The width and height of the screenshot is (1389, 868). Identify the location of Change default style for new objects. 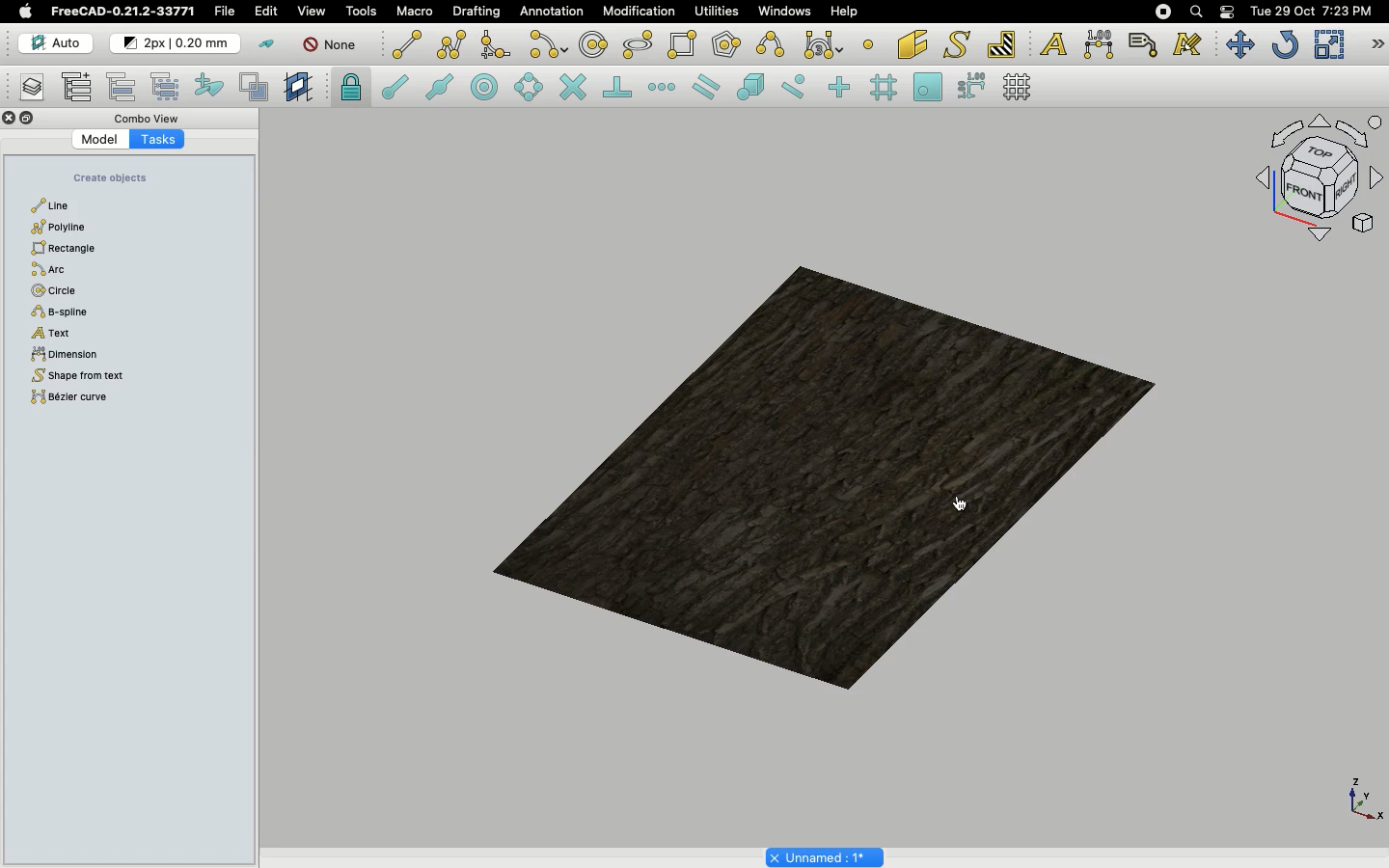
(177, 43).